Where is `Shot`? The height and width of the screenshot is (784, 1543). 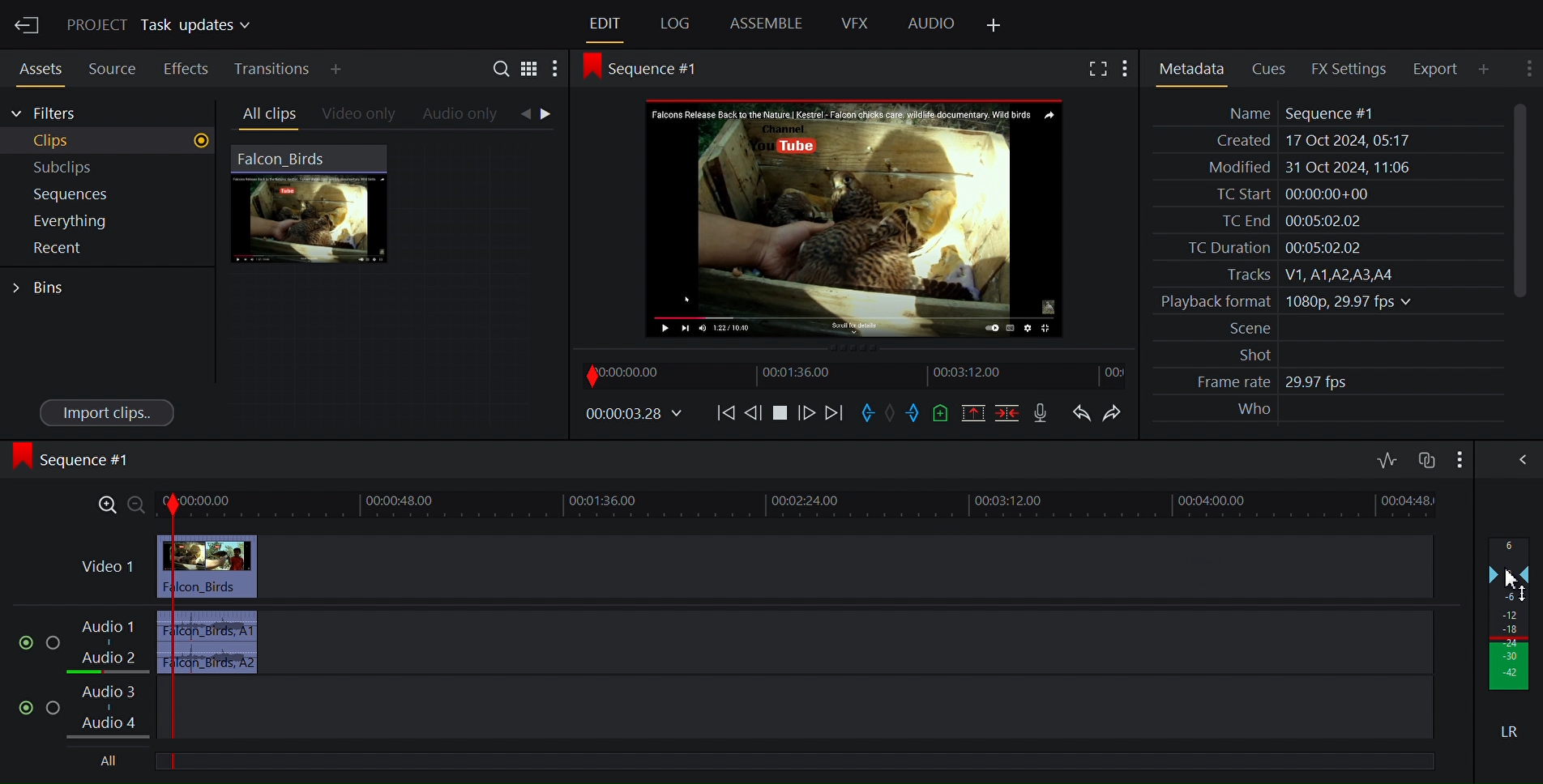
Shot is located at coordinates (1245, 355).